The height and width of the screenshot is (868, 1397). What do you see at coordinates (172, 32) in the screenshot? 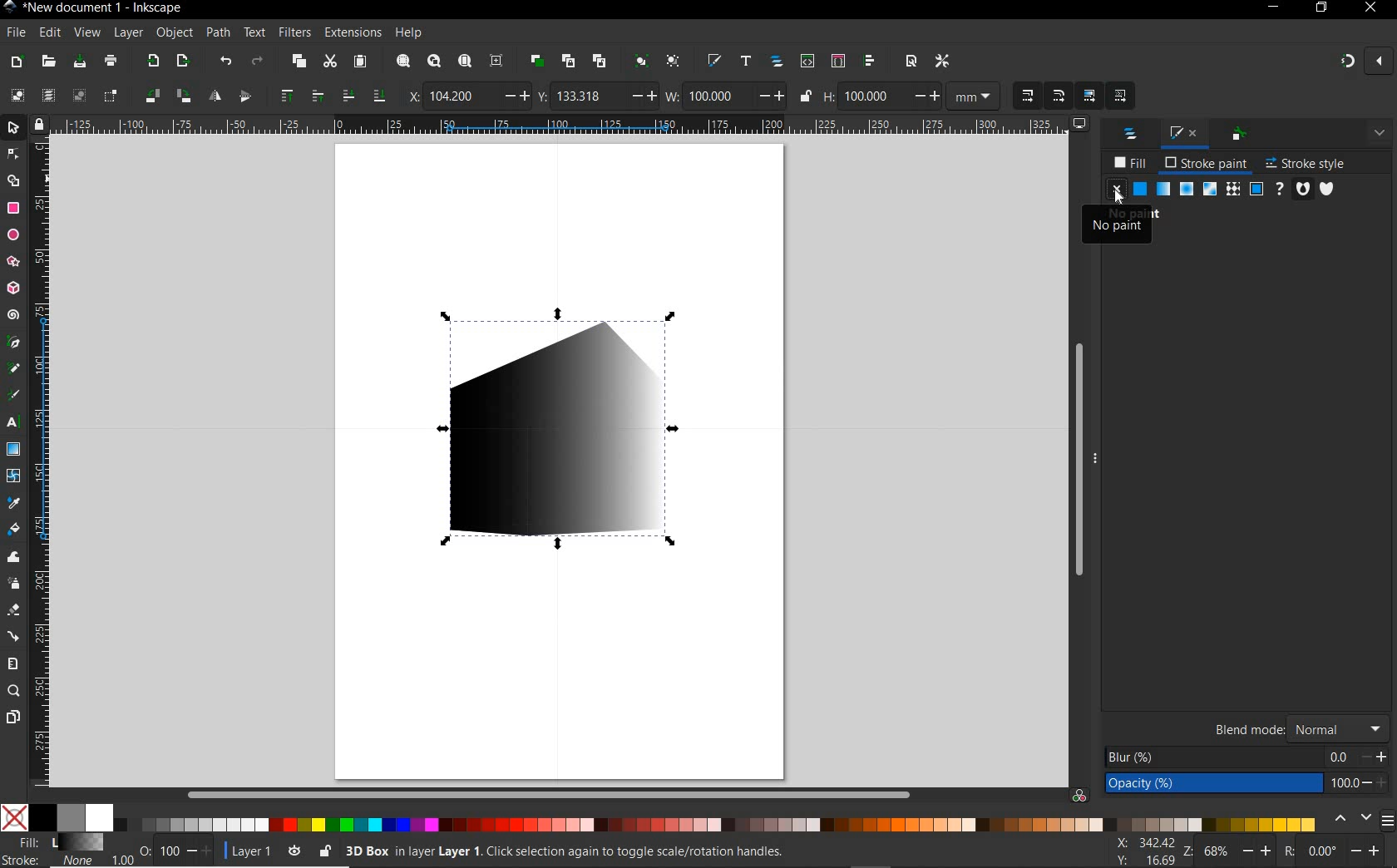
I see `OBJECT` at bounding box center [172, 32].